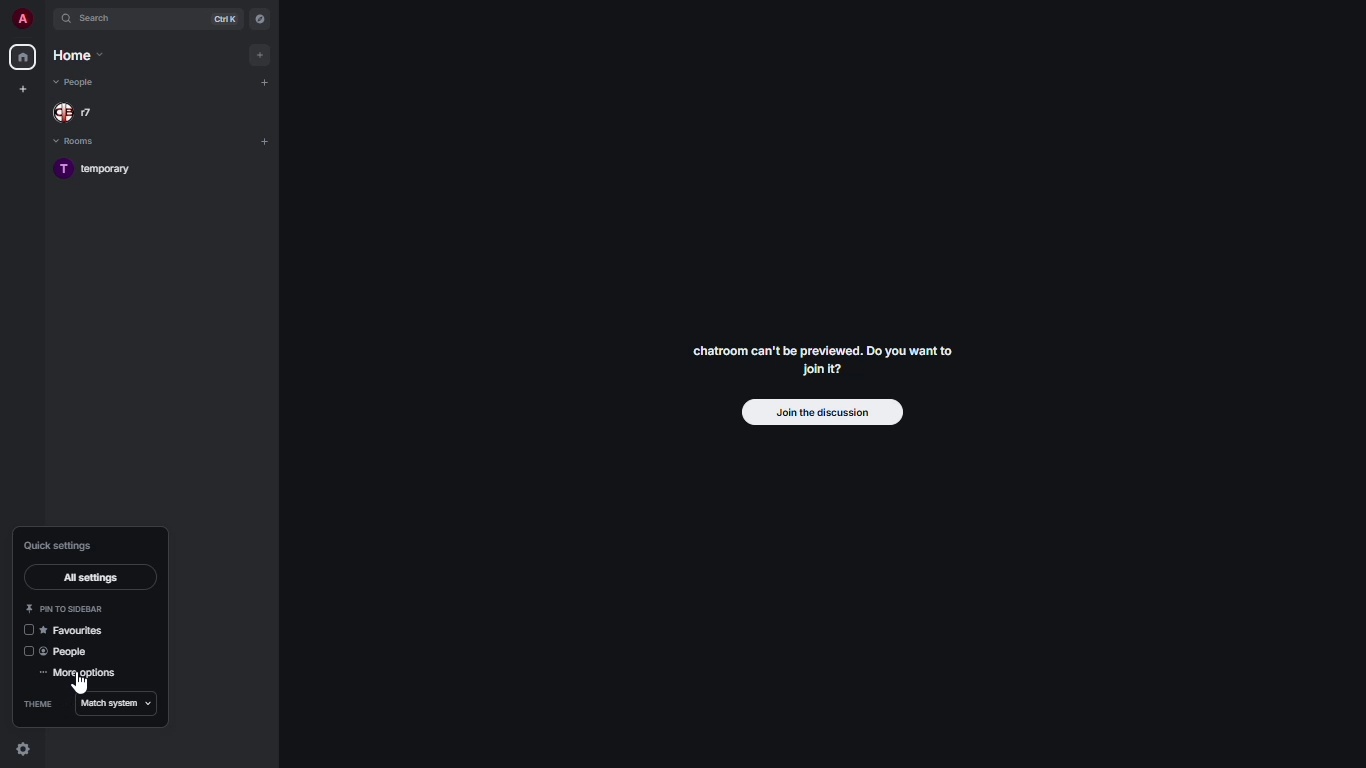  I want to click on theme, so click(36, 705).